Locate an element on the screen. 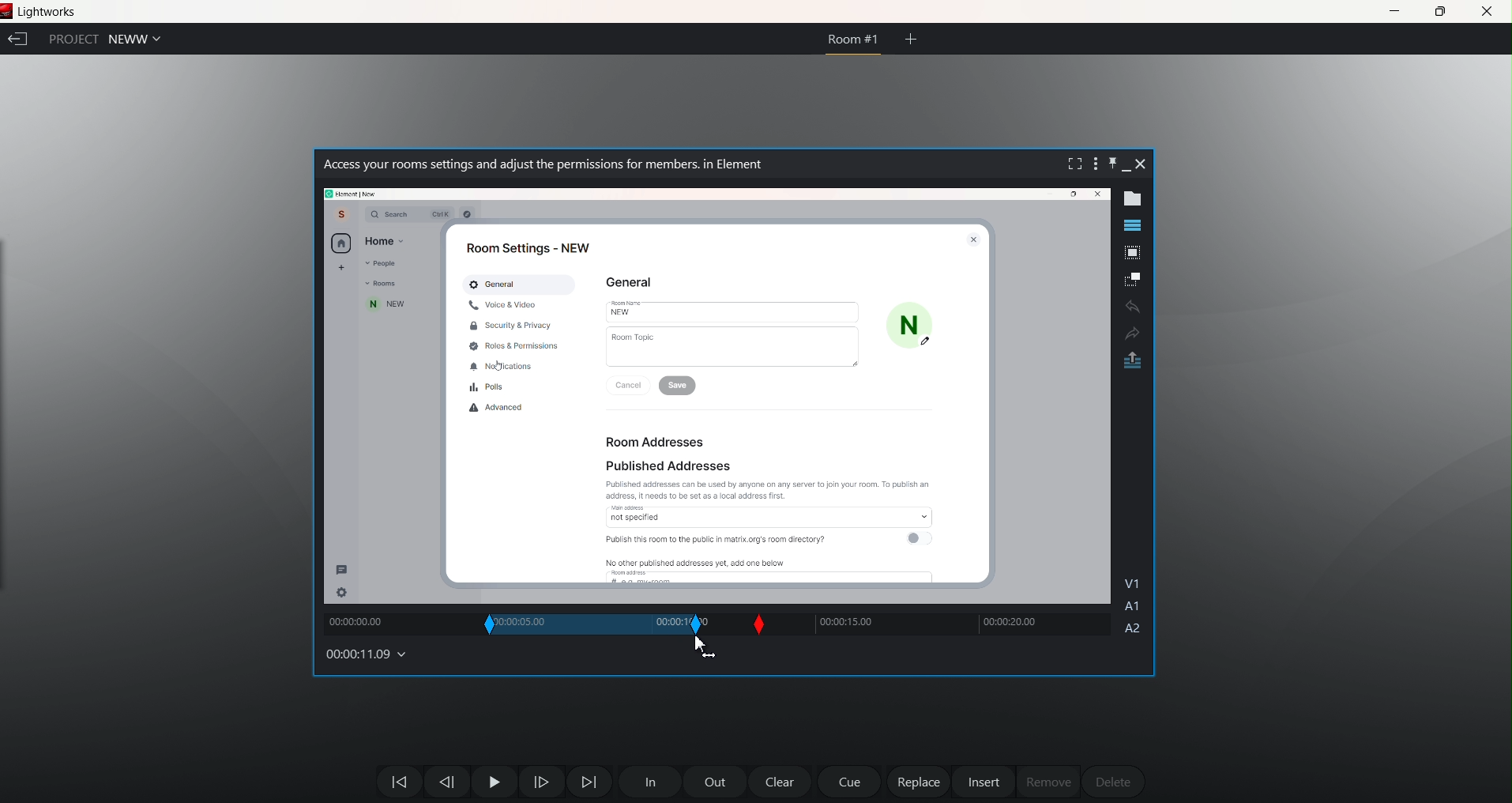 The width and height of the screenshot is (1512, 803). home is located at coordinates (340, 243).